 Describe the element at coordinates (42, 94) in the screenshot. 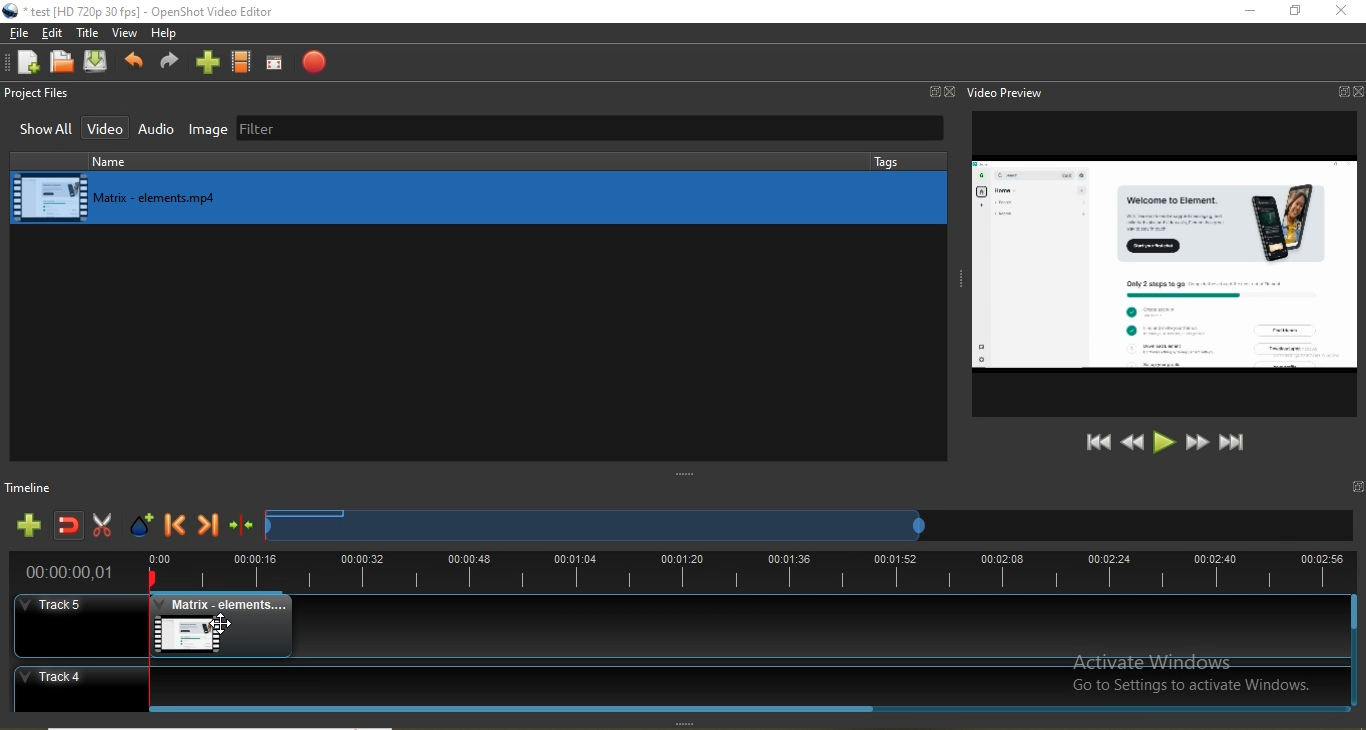

I see `Project files` at that location.